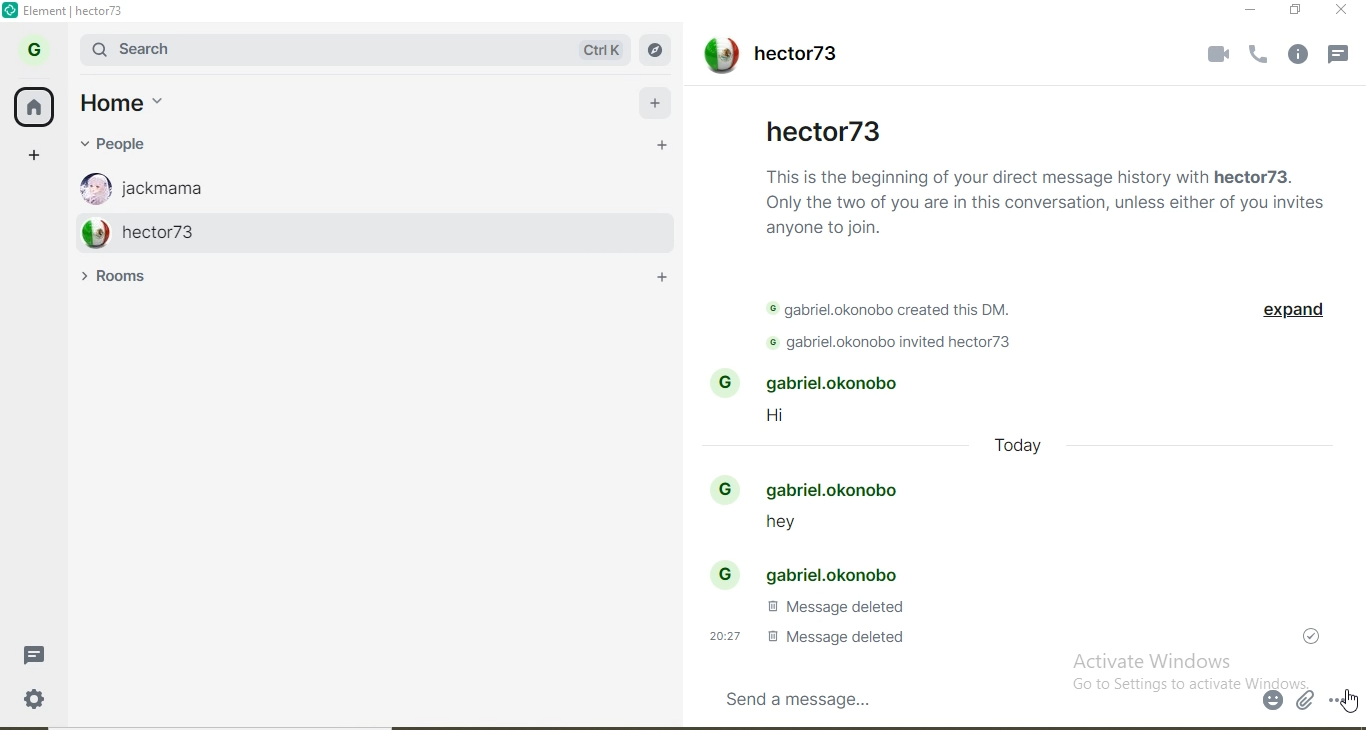  What do you see at coordinates (1296, 10) in the screenshot?
I see `restore` at bounding box center [1296, 10].